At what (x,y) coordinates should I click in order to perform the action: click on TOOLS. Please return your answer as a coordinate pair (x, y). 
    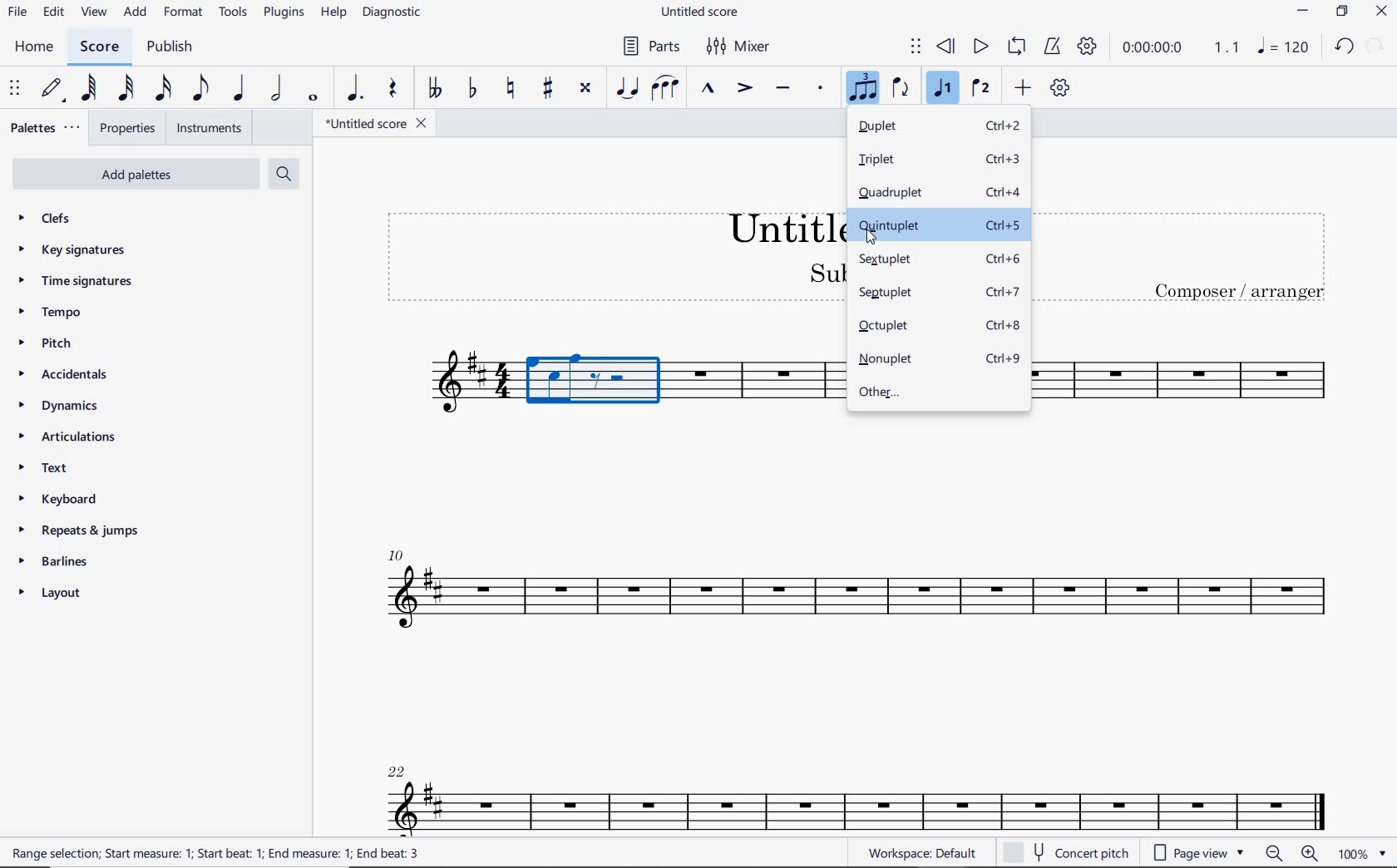
    Looking at the image, I should click on (233, 12).